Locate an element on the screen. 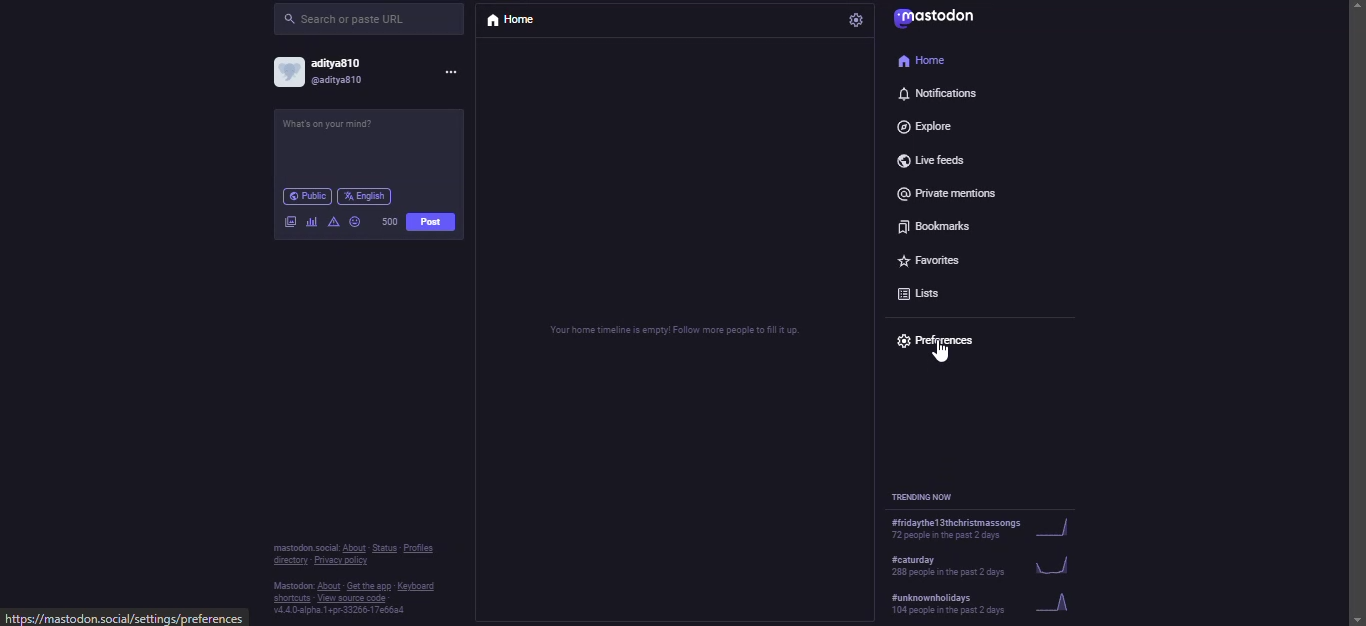 The image size is (1366, 626). emoji is located at coordinates (355, 222).